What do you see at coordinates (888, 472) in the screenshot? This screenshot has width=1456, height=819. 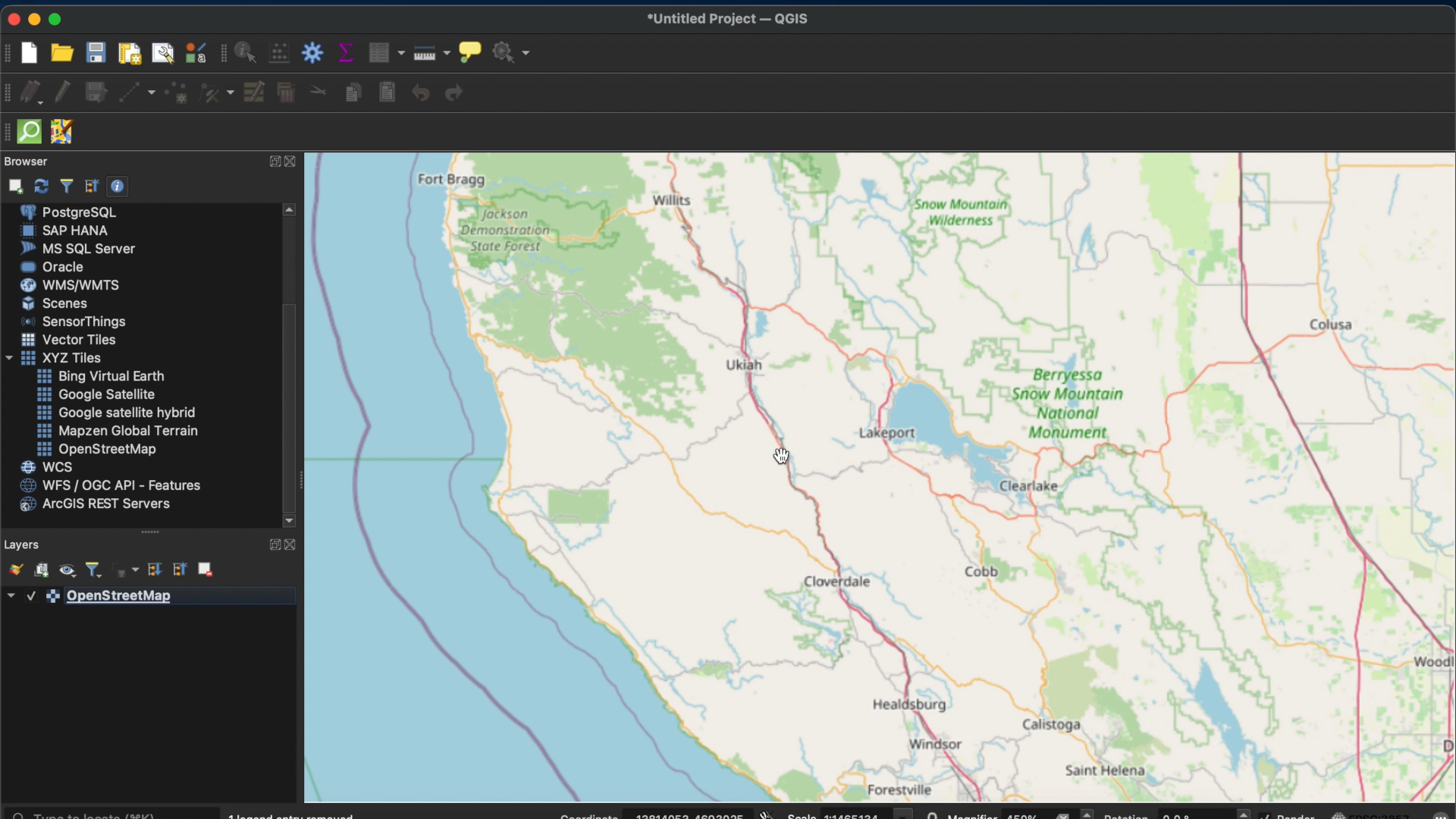 I see `map` at bounding box center [888, 472].